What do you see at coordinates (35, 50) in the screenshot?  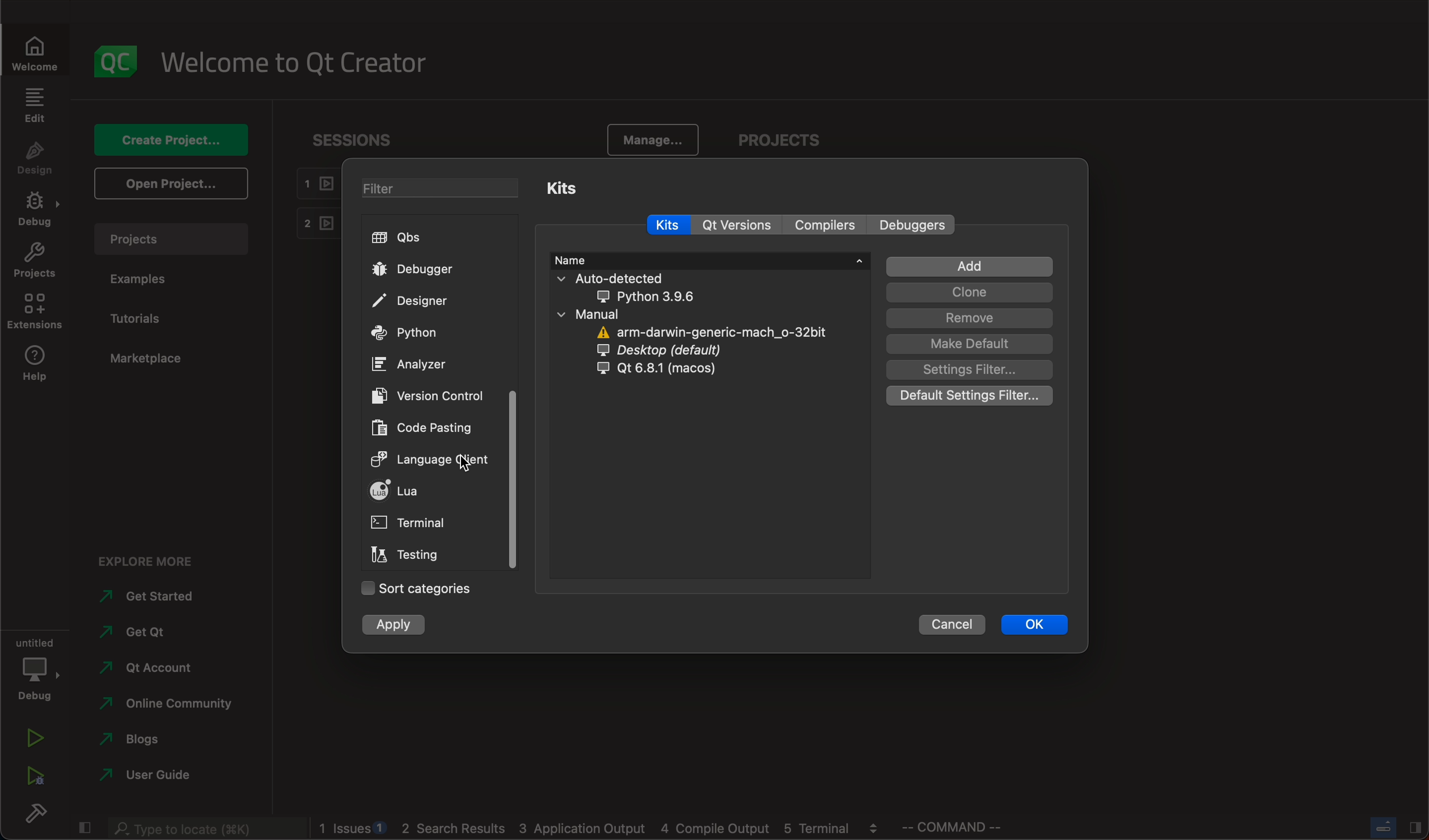 I see `welcome` at bounding box center [35, 50].